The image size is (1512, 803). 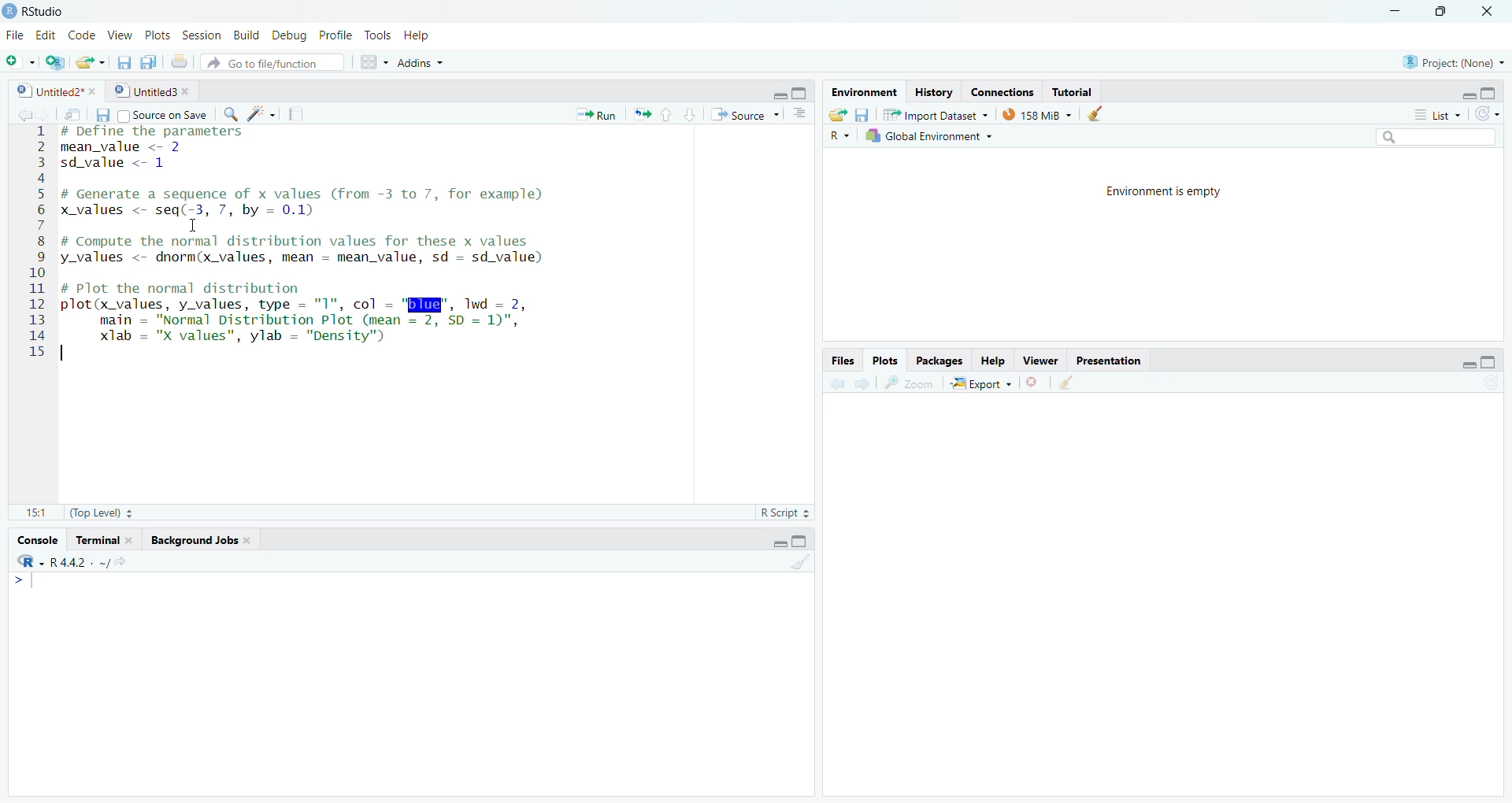 What do you see at coordinates (1392, 12) in the screenshot?
I see `minimize` at bounding box center [1392, 12].